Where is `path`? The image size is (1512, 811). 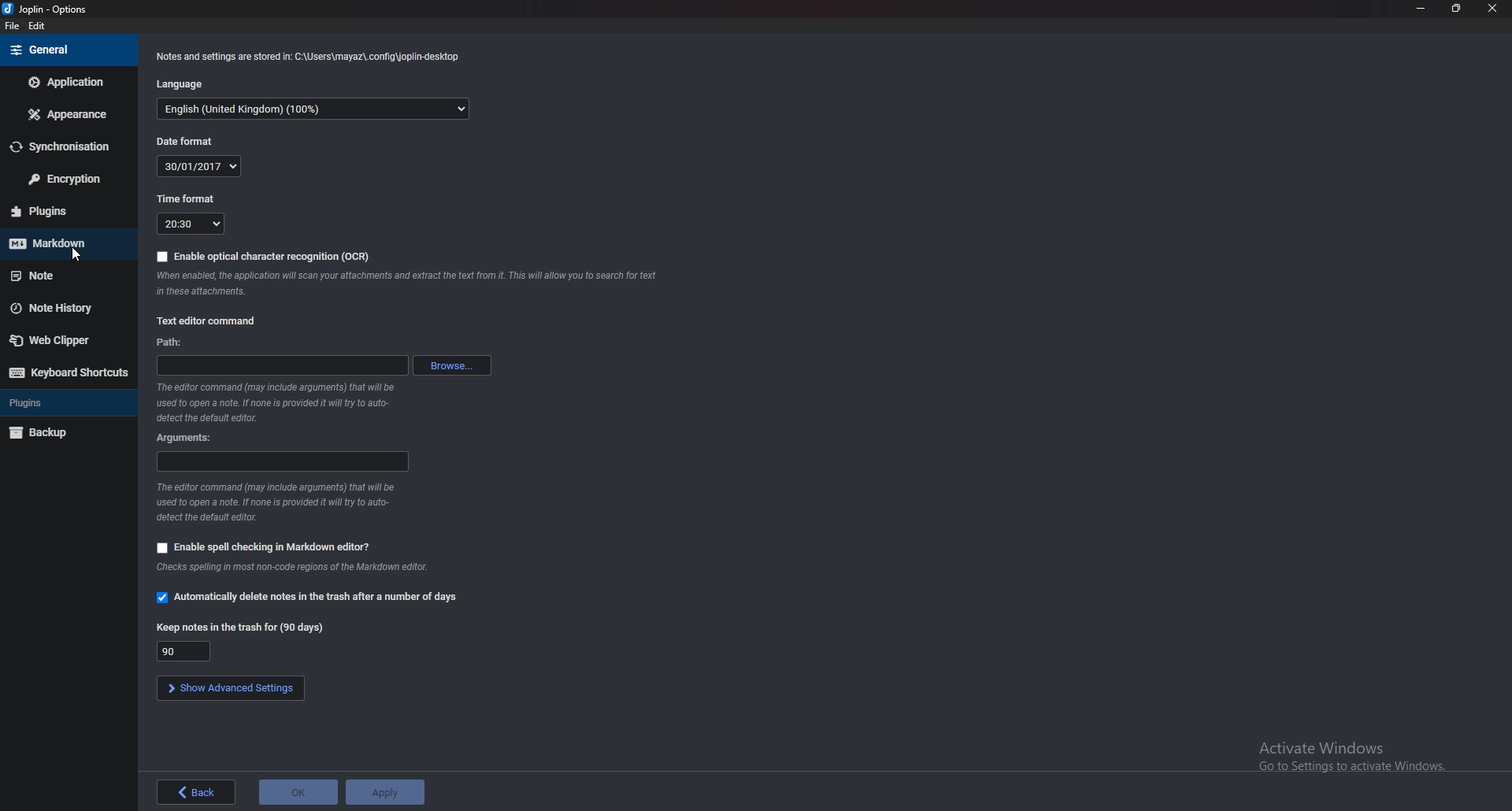 path is located at coordinates (173, 343).